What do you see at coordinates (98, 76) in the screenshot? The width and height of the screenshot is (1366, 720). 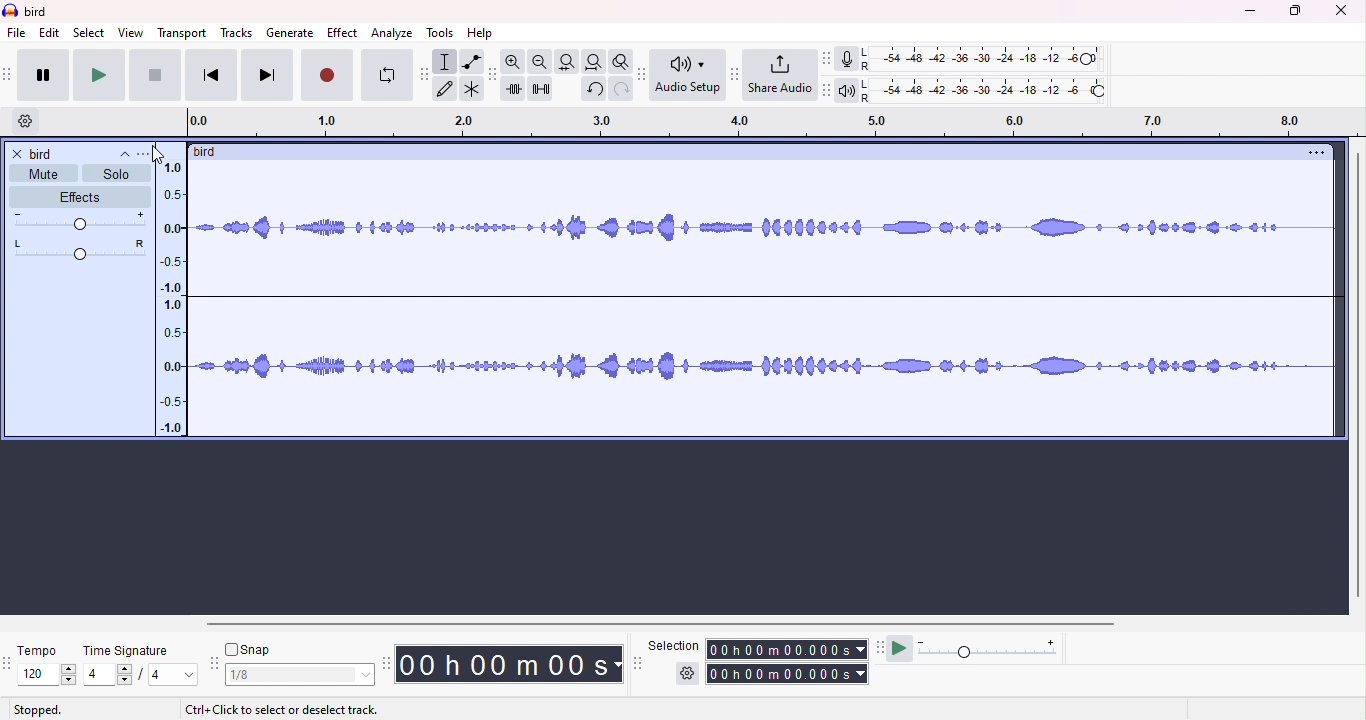 I see `play` at bounding box center [98, 76].